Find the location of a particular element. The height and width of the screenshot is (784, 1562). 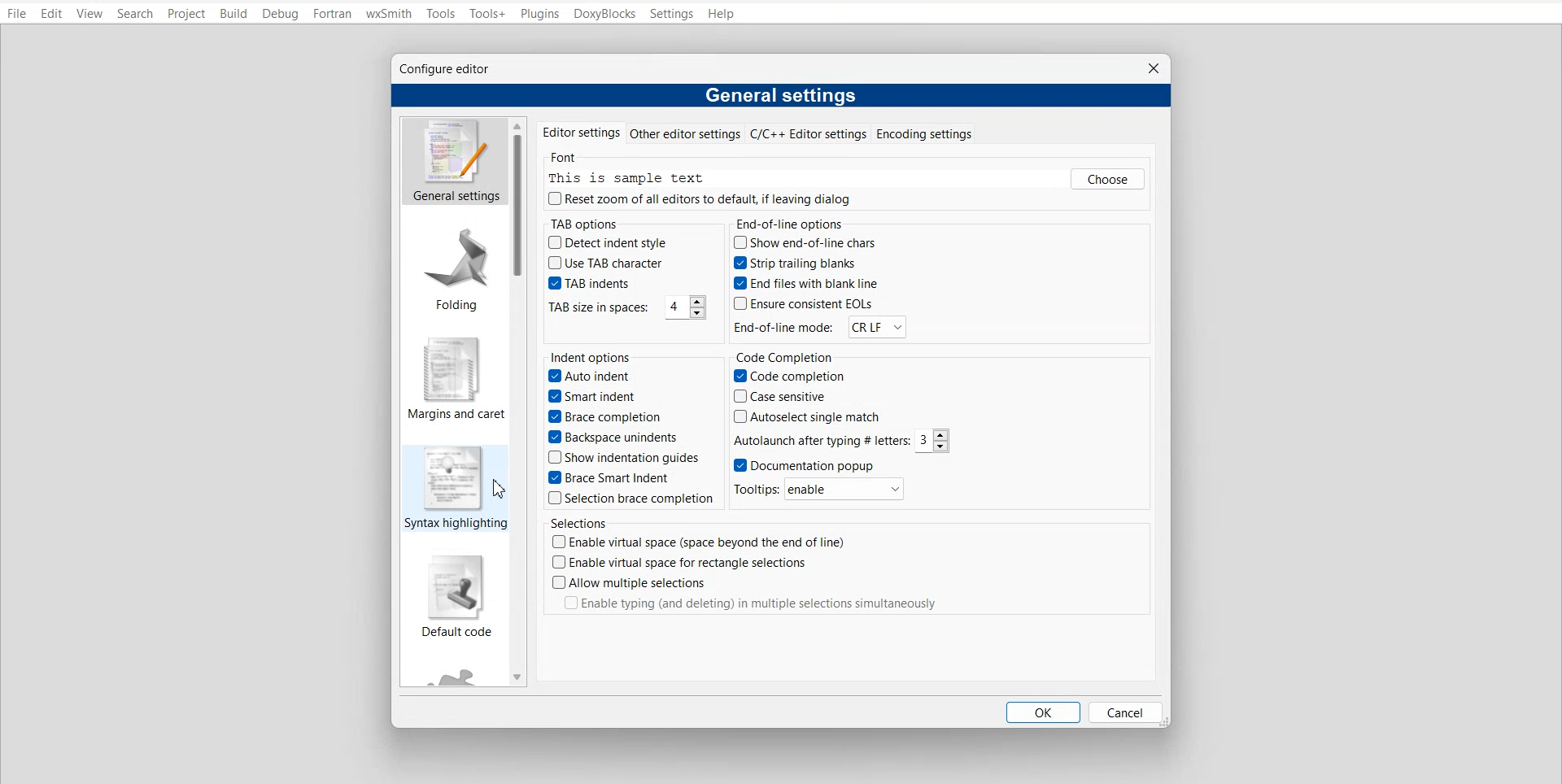

General Settings is located at coordinates (453, 160).